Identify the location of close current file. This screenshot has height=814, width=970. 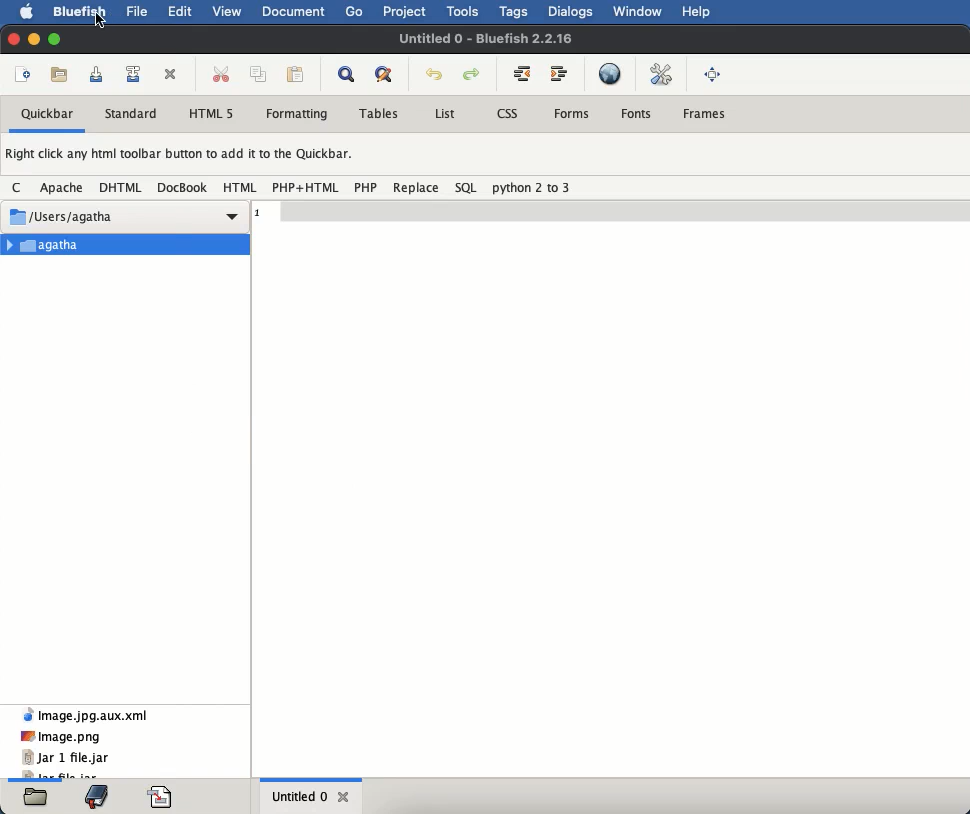
(173, 76).